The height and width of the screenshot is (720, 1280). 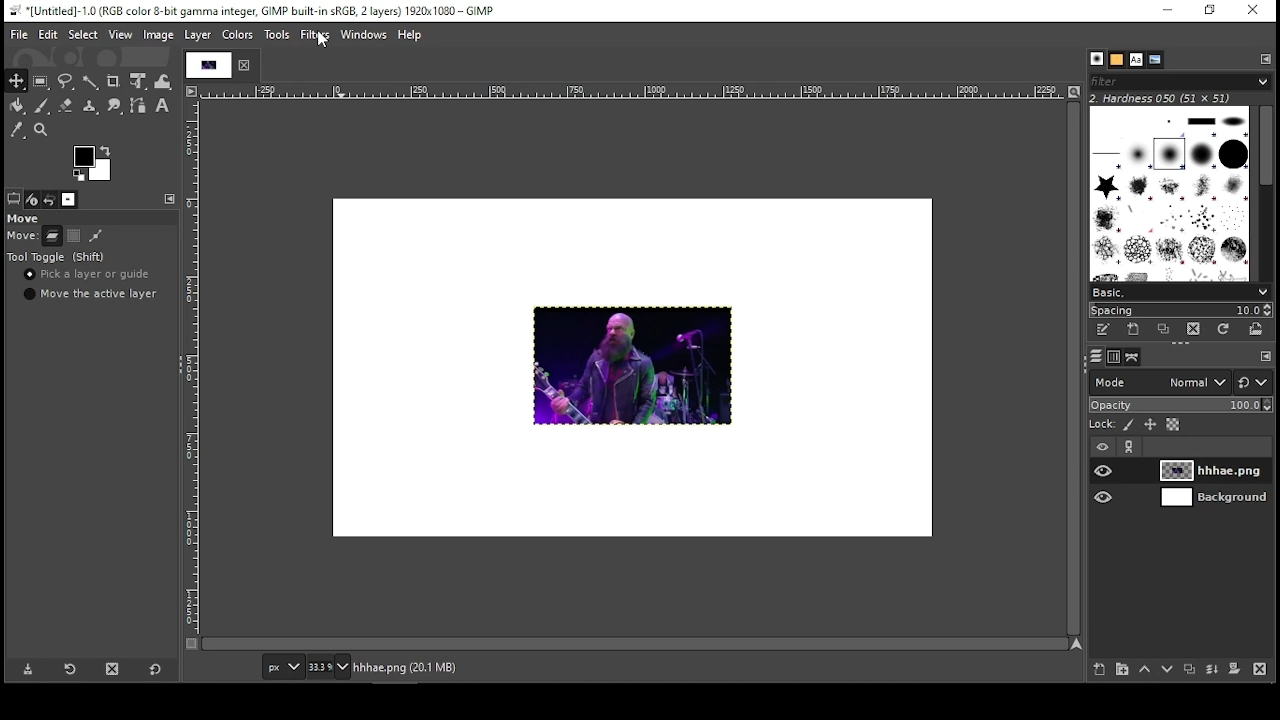 I want to click on delete tool preset, so click(x=114, y=668).